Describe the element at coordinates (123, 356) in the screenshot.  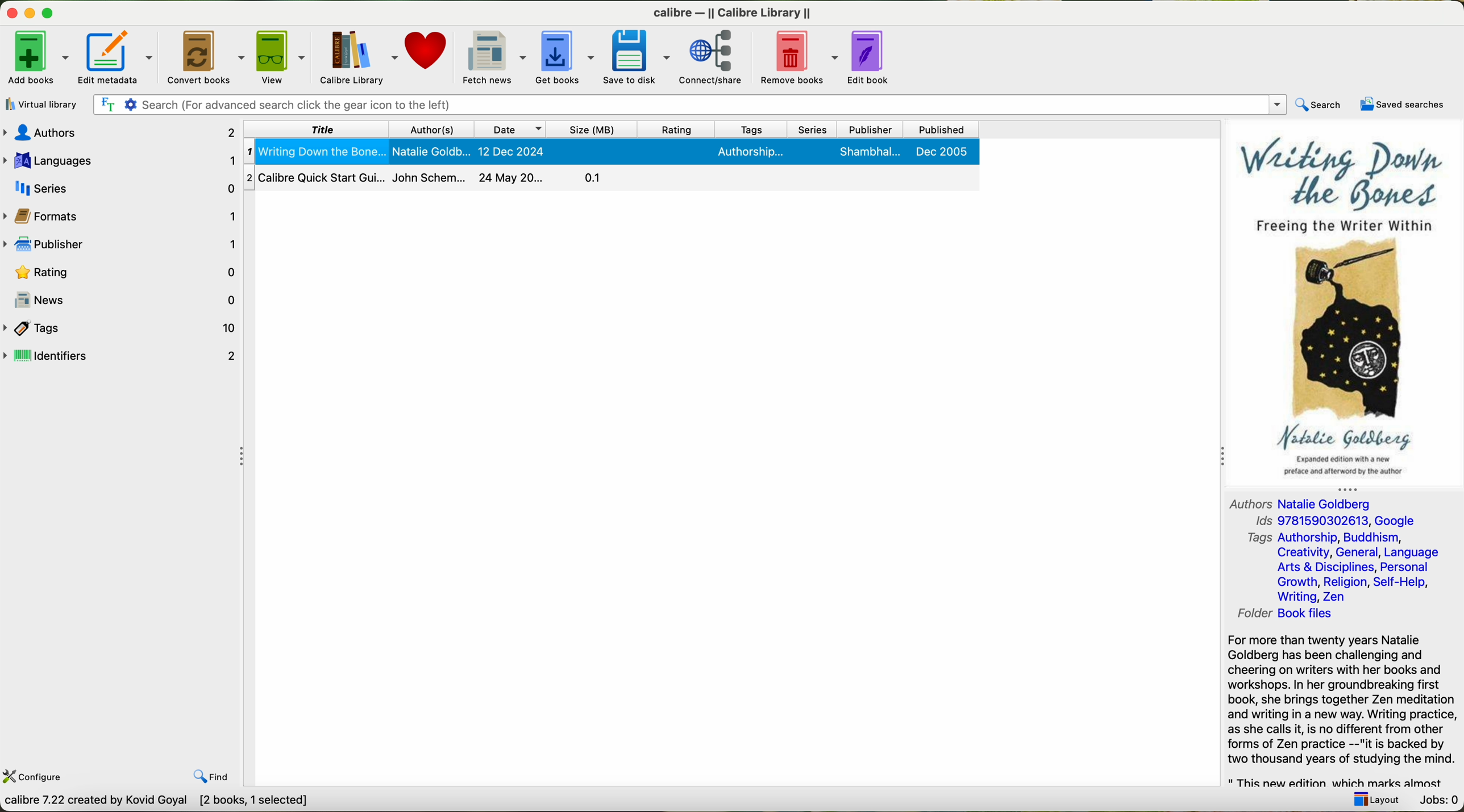
I see `identifiers` at that location.